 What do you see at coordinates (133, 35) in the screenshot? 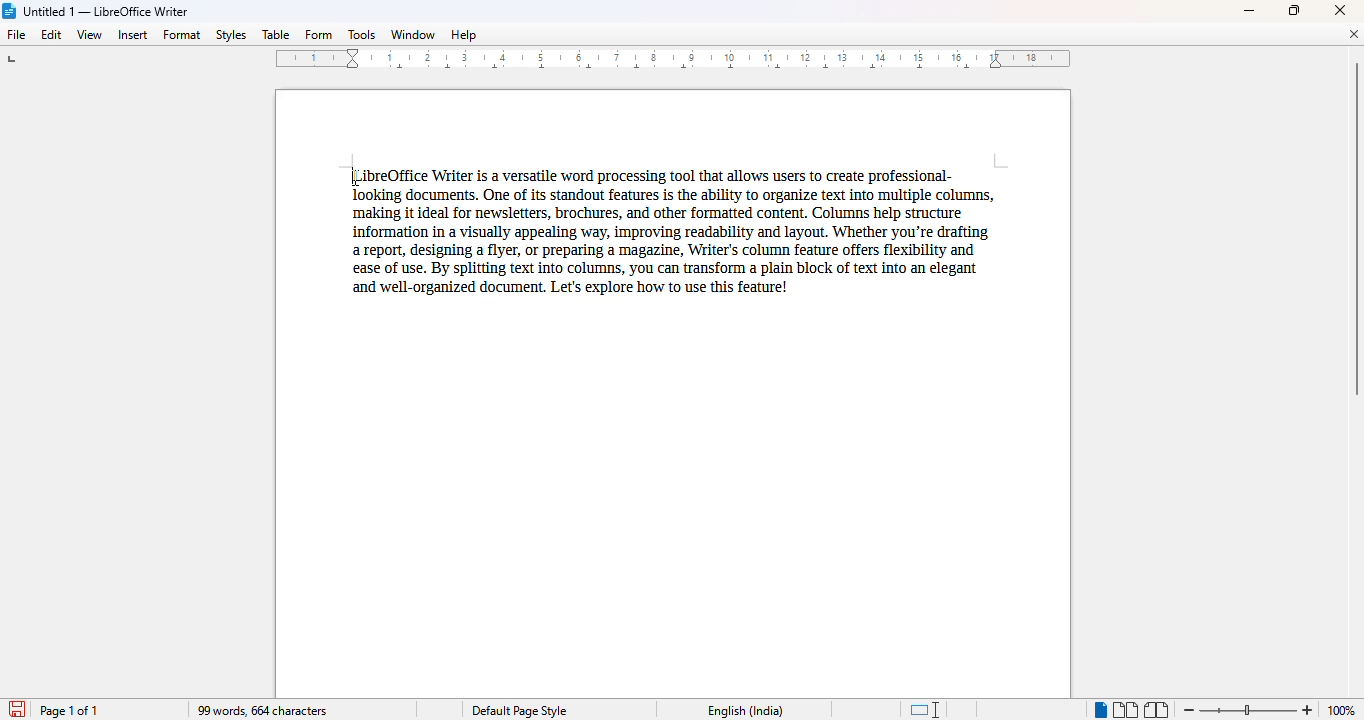
I see `insert` at bounding box center [133, 35].